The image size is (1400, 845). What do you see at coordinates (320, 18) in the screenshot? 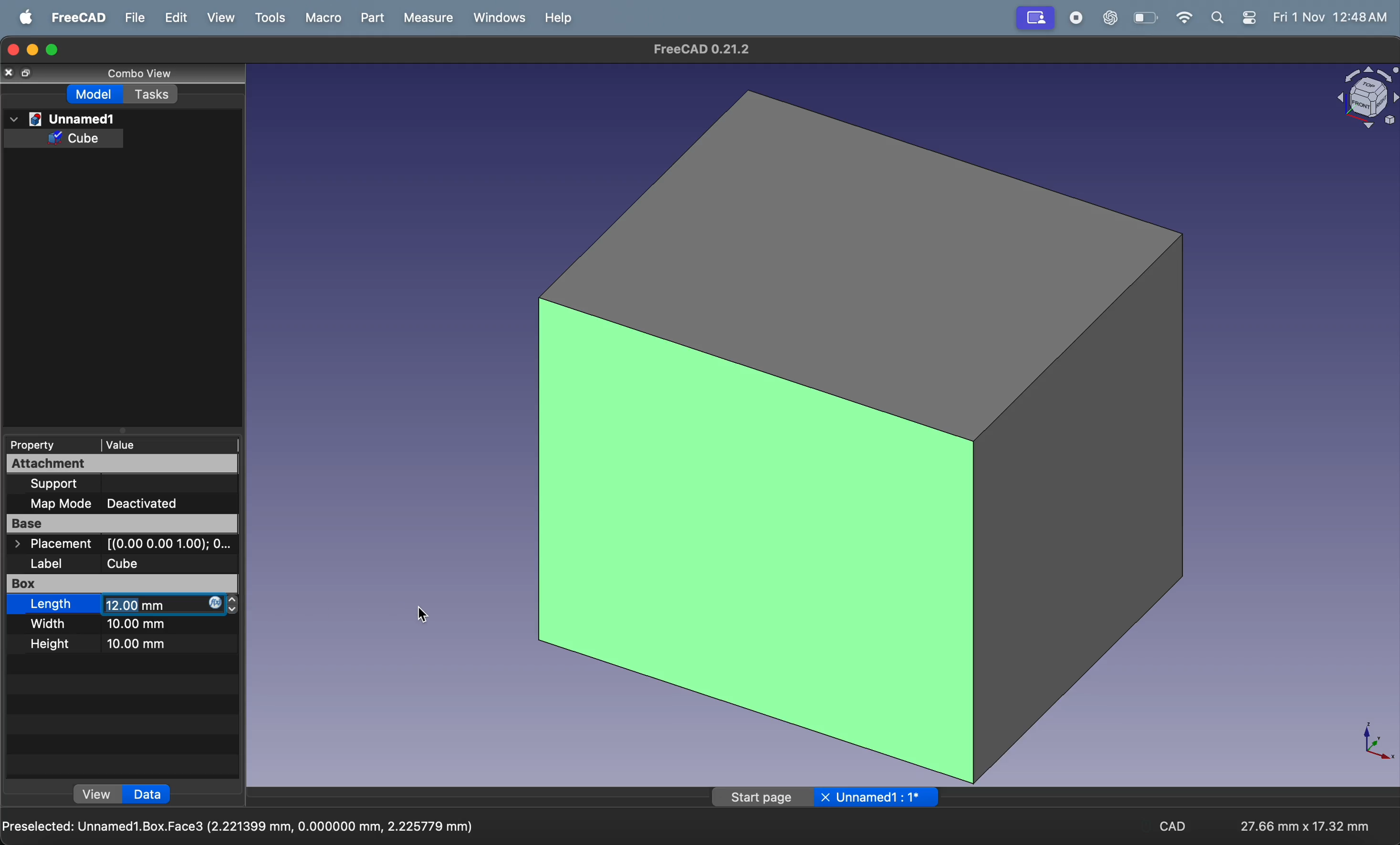
I see `marco` at bounding box center [320, 18].